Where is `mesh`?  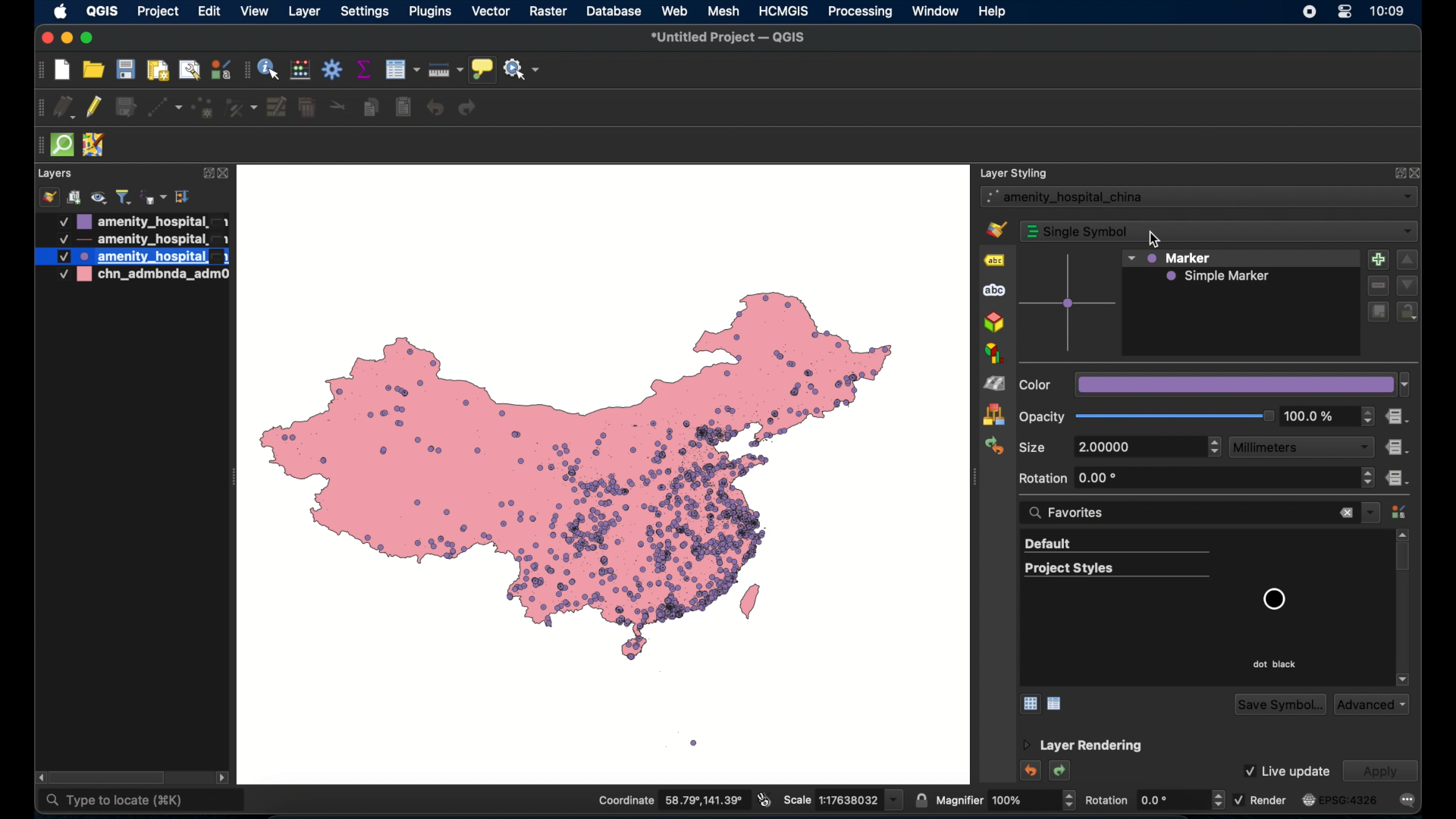
mesh is located at coordinates (723, 11).